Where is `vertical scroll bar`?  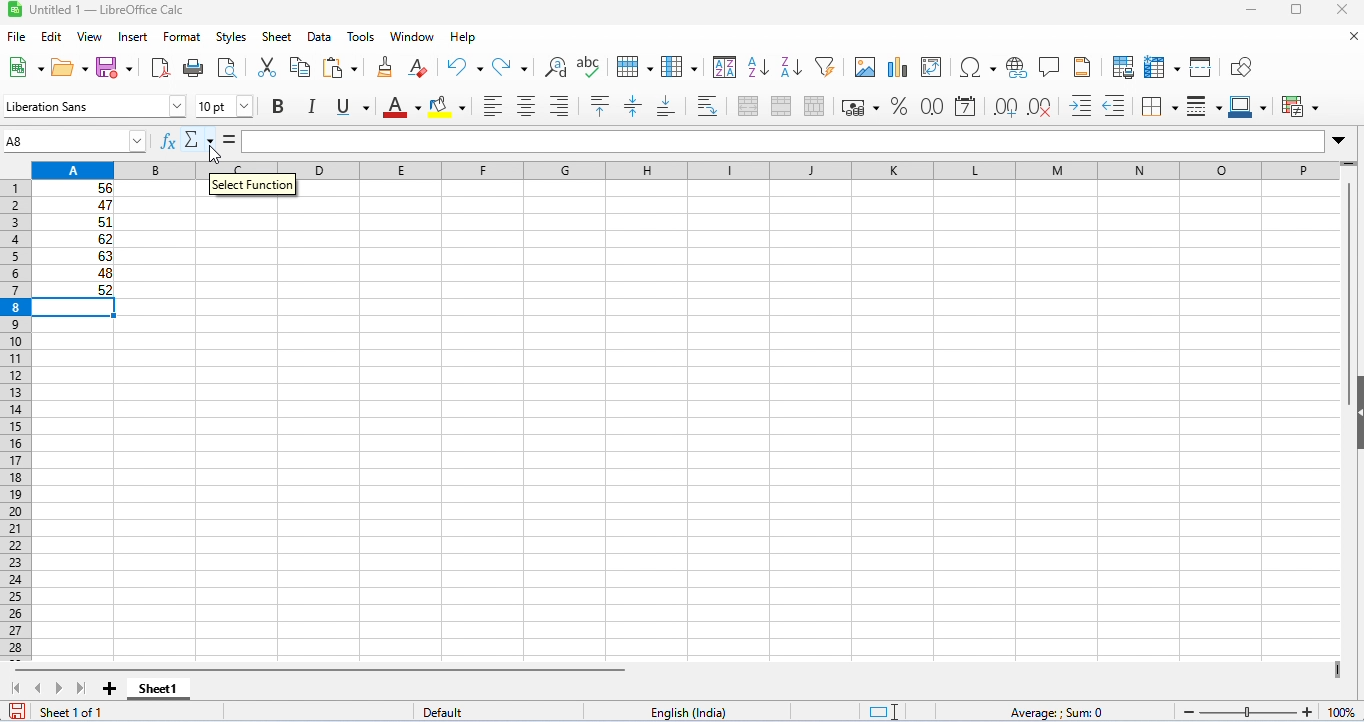
vertical scroll bar is located at coordinates (1349, 271).